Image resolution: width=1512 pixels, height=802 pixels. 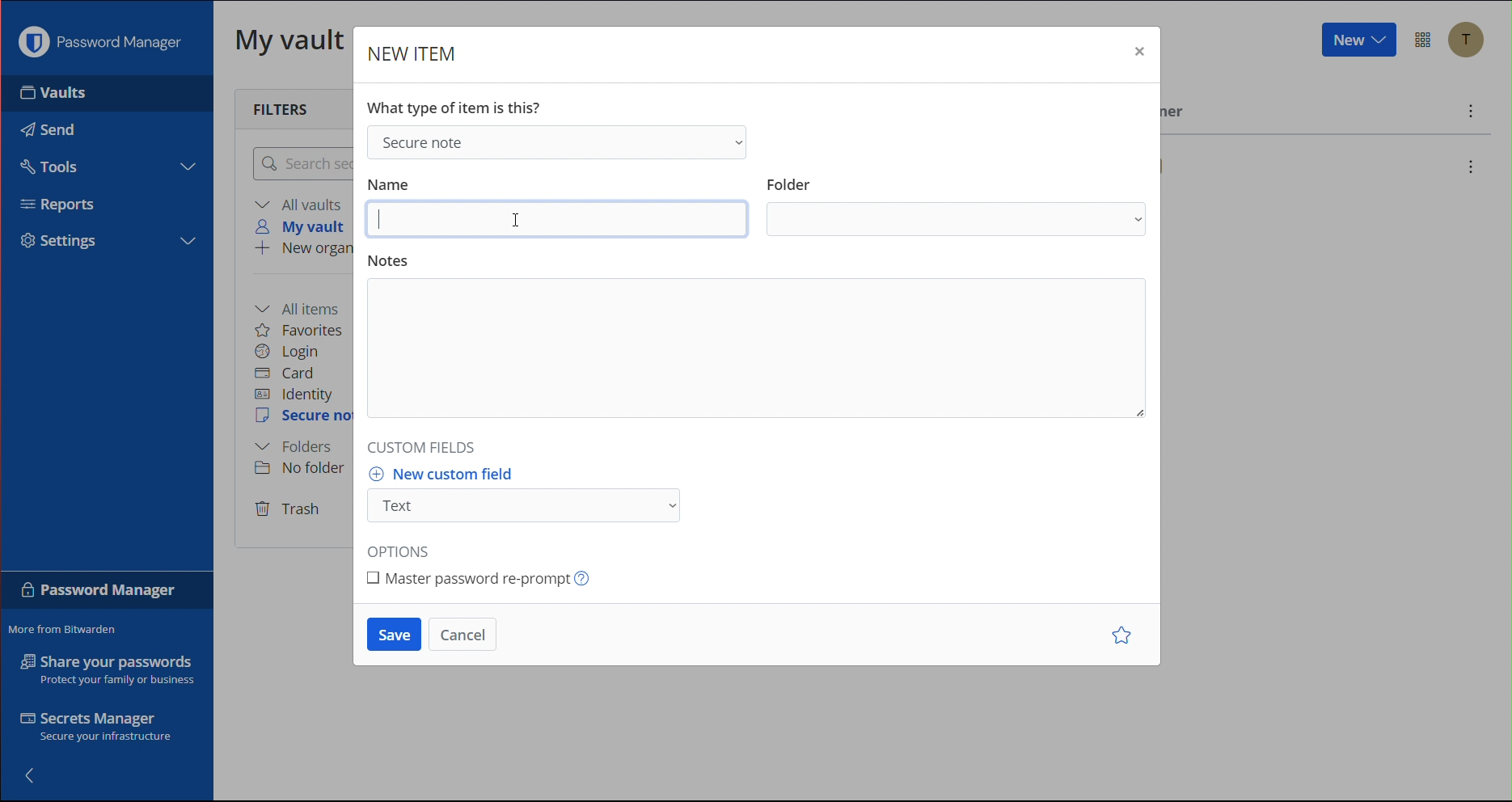 I want to click on Search secure notes, so click(x=300, y=163).